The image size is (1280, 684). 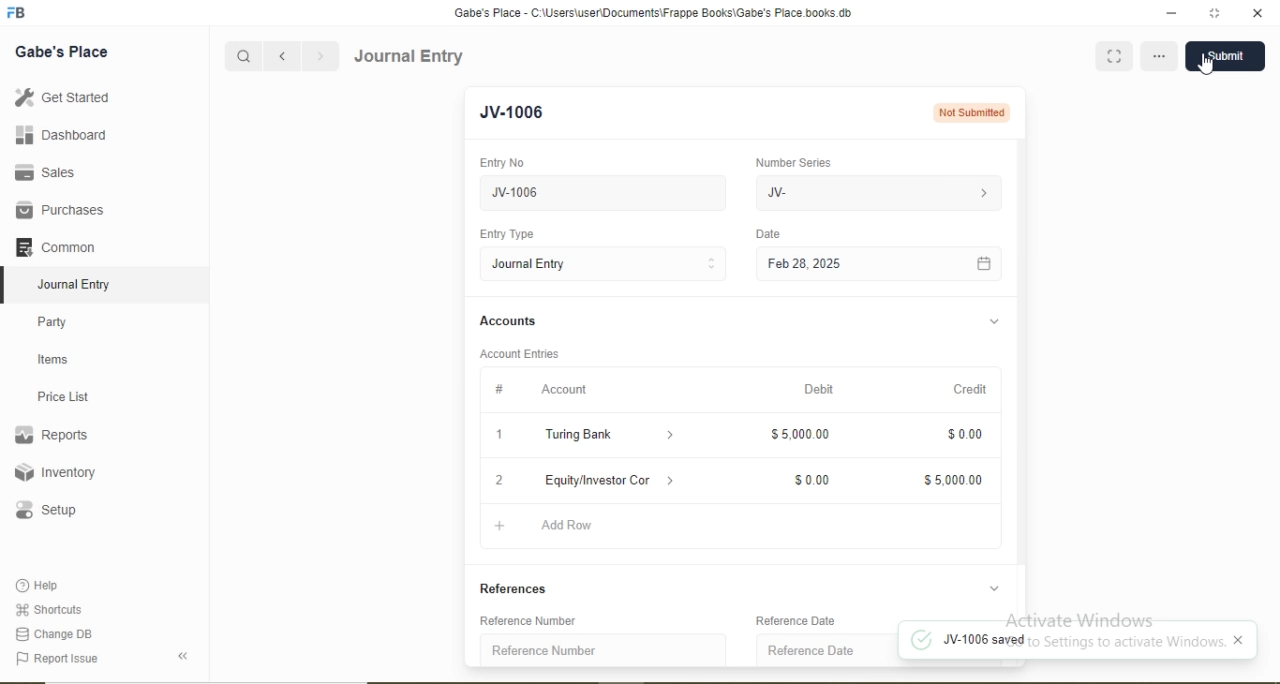 What do you see at coordinates (410, 56) in the screenshot?
I see `Journal Entry` at bounding box center [410, 56].